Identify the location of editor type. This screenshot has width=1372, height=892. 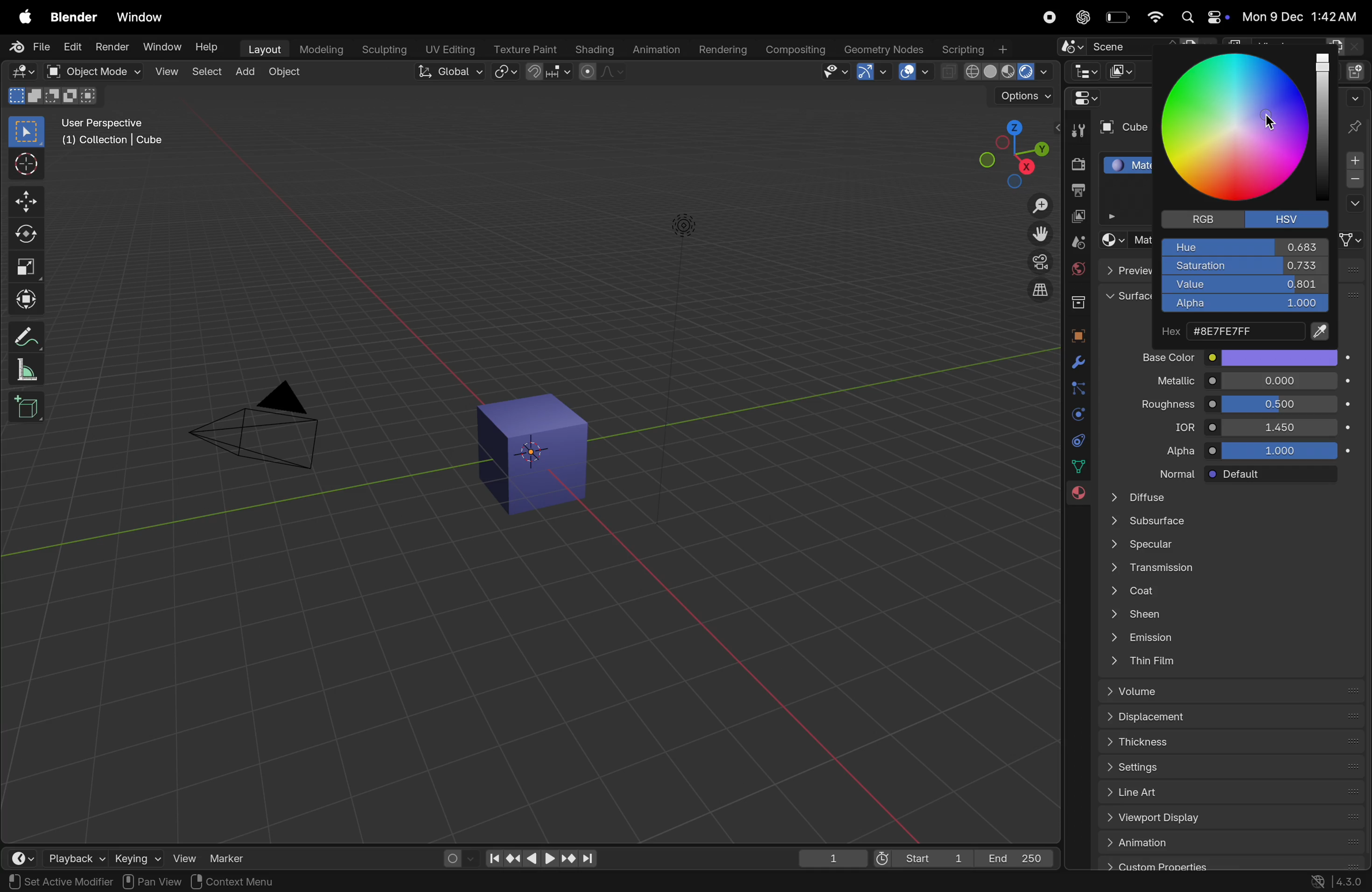
(14, 856).